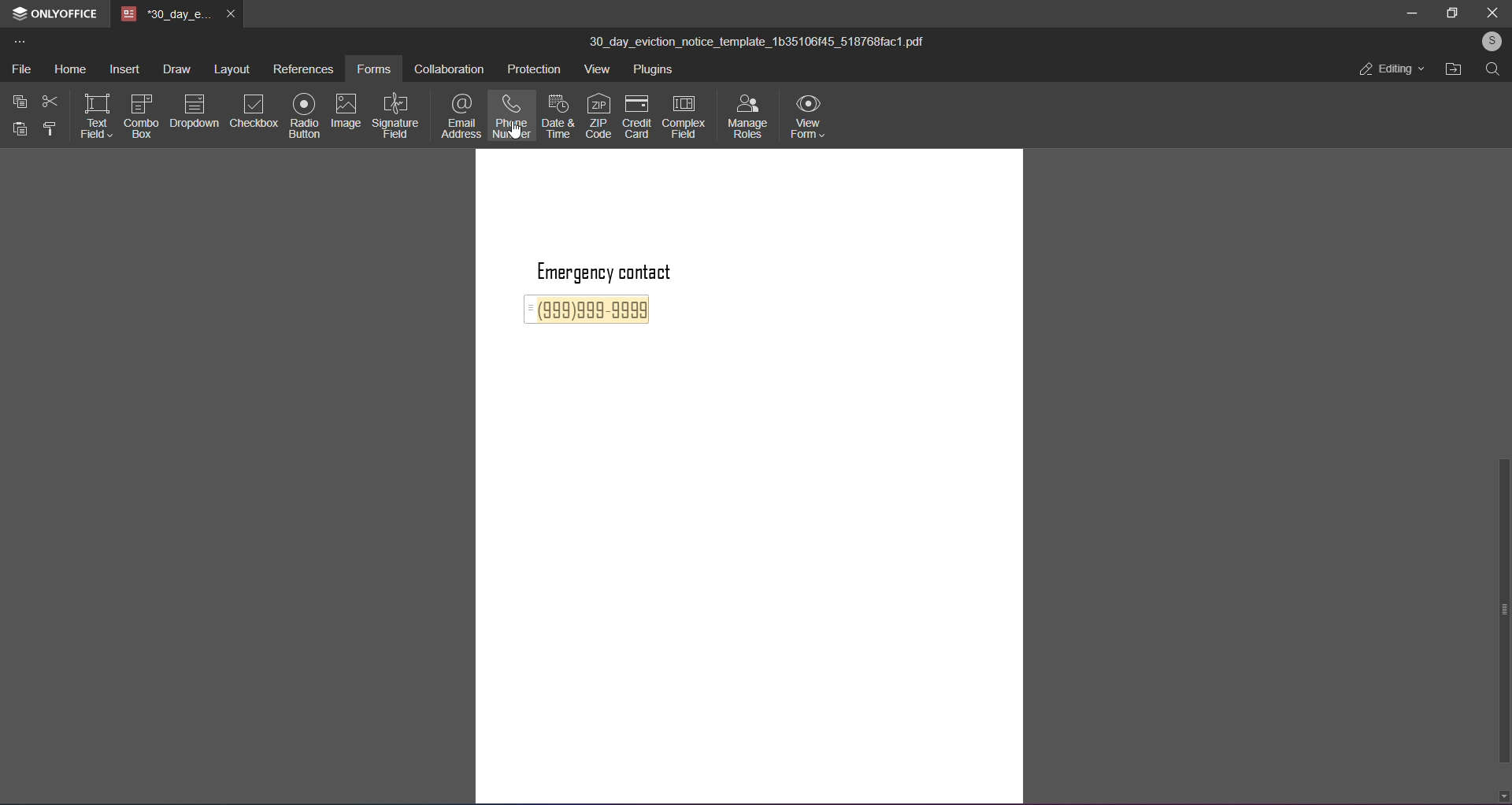  What do you see at coordinates (459, 117) in the screenshot?
I see `email address` at bounding box center [459, 117].